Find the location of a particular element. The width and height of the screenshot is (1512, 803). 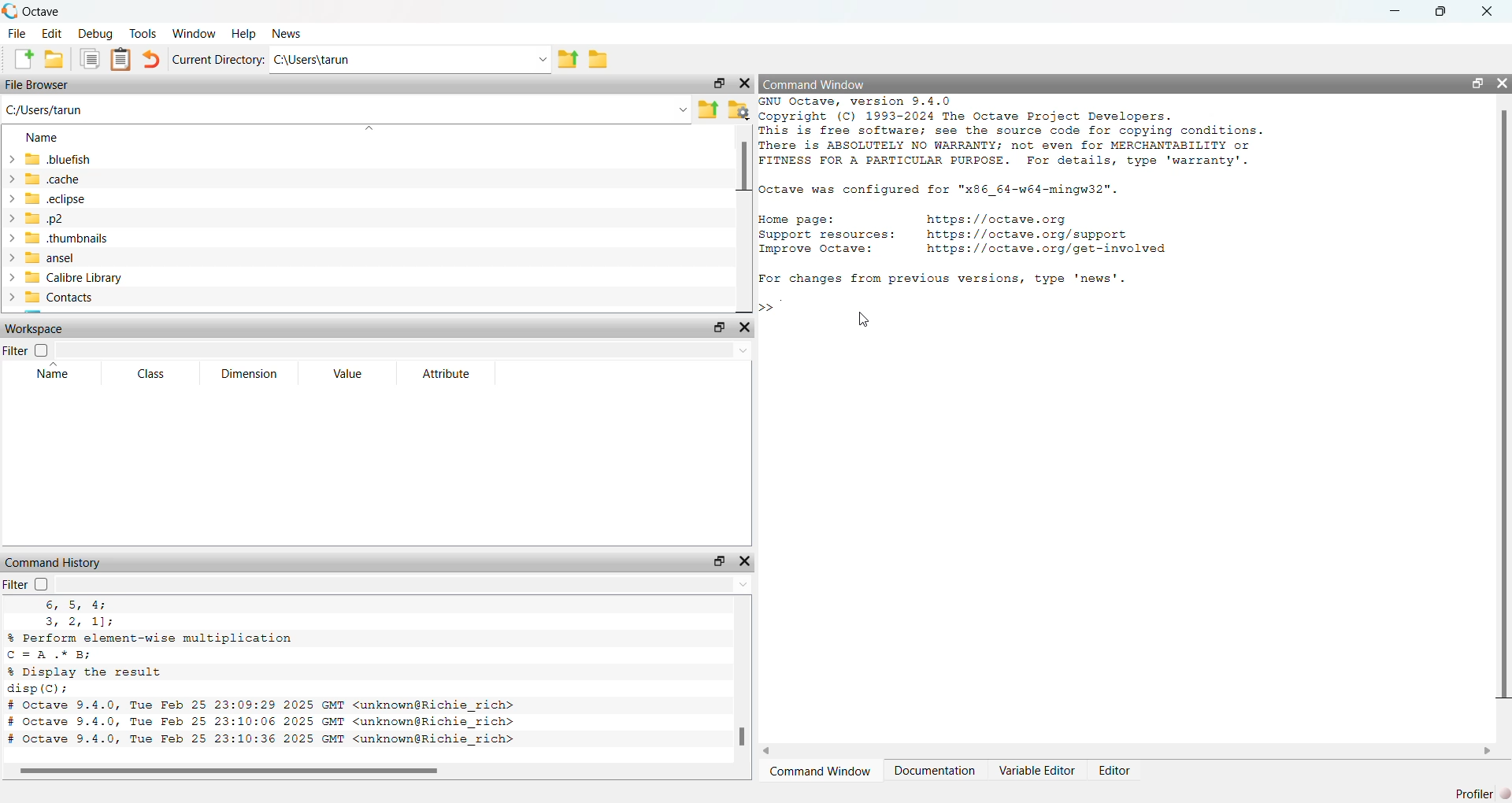

minimize is located at coordinates (1395, 13).